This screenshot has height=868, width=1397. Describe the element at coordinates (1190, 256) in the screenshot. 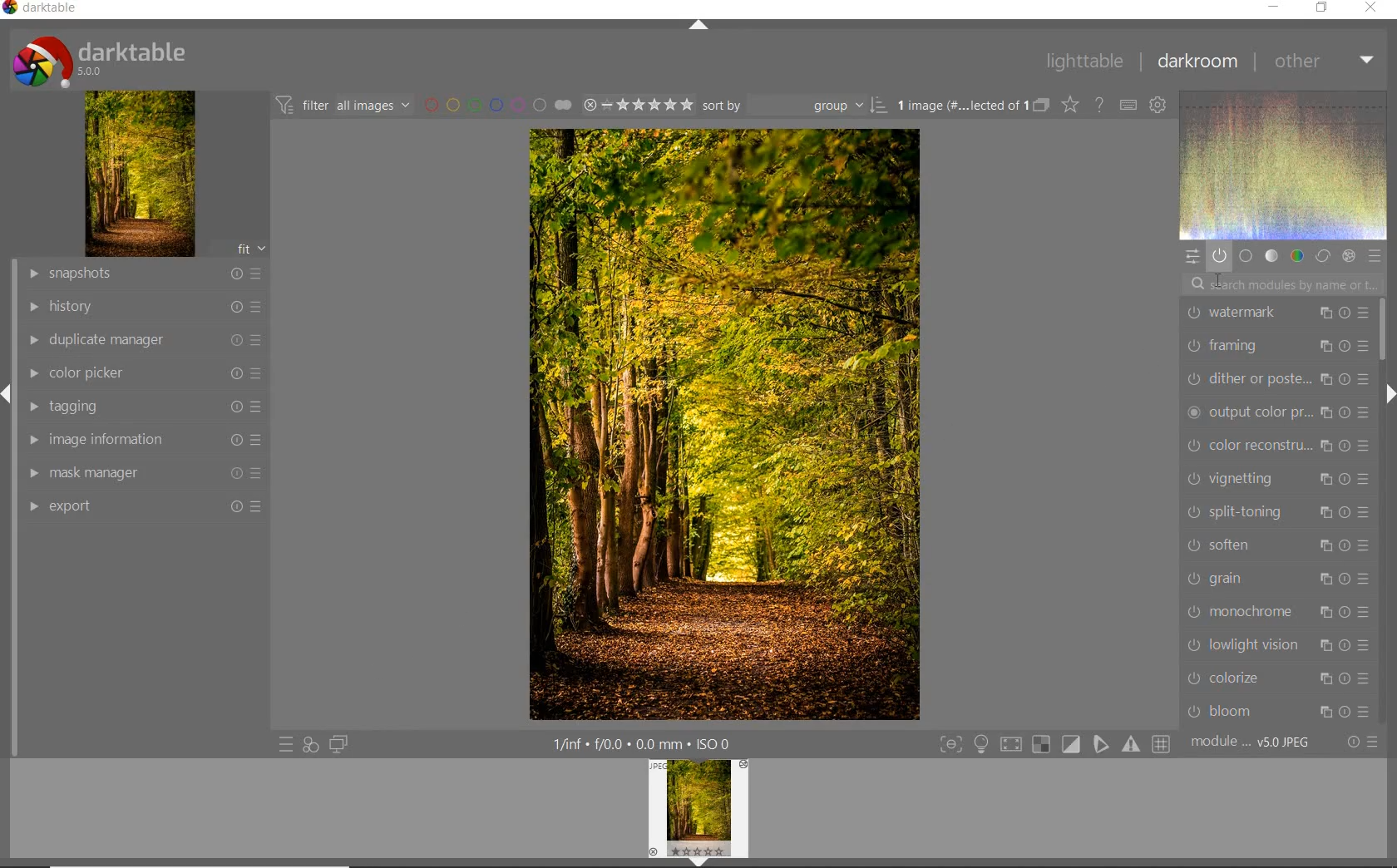

I see `quick access panel` at that location.